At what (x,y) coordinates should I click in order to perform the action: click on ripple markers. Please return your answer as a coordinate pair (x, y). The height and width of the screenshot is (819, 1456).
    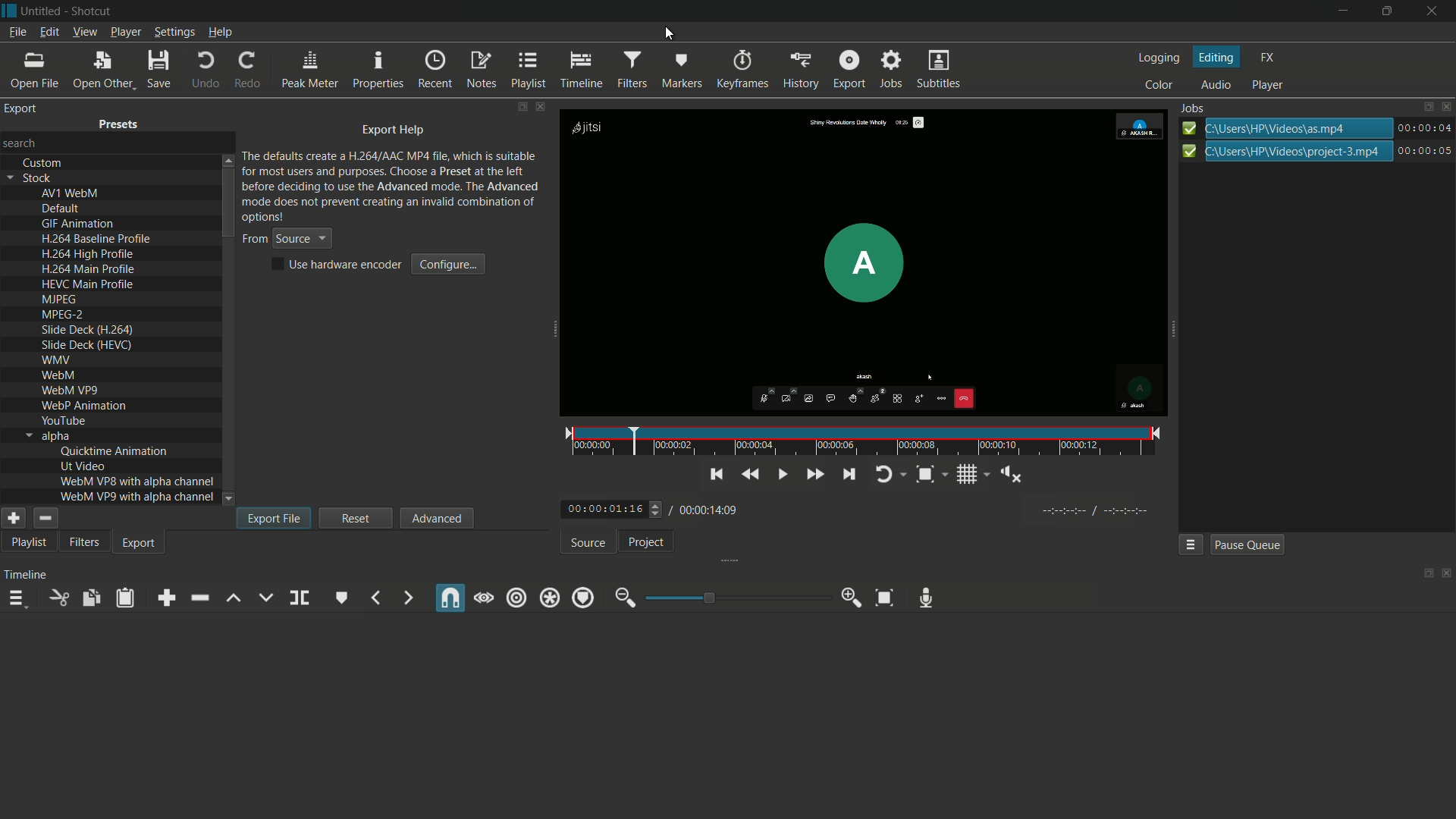
    Looking at the image, I should click on (583, 598).